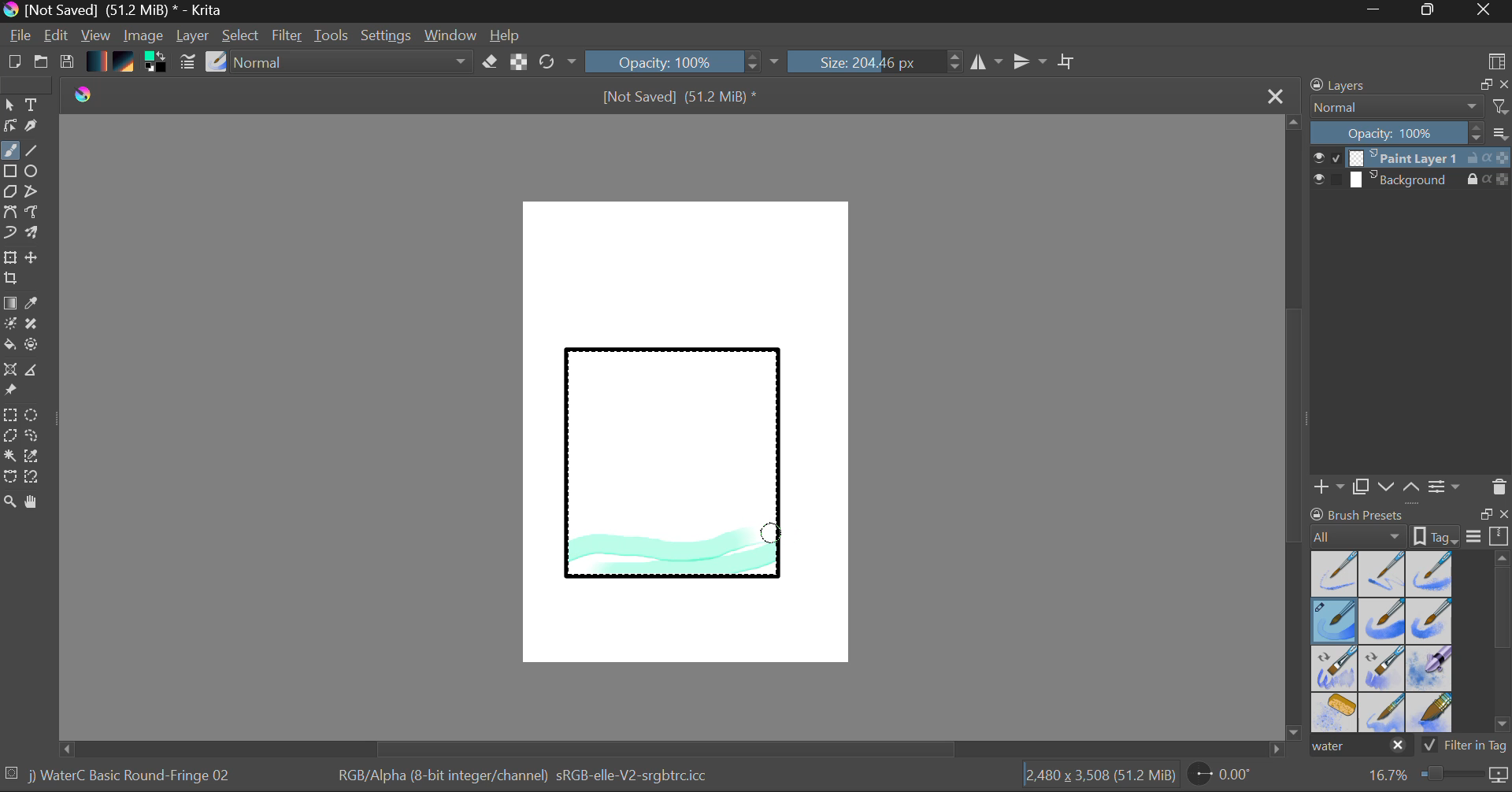 The height and width of the screenshot is (792, 1512). What do you see at coordinates (95, 60) in the screenshot?
I see `Gradient` at bounding box center [95, 60].